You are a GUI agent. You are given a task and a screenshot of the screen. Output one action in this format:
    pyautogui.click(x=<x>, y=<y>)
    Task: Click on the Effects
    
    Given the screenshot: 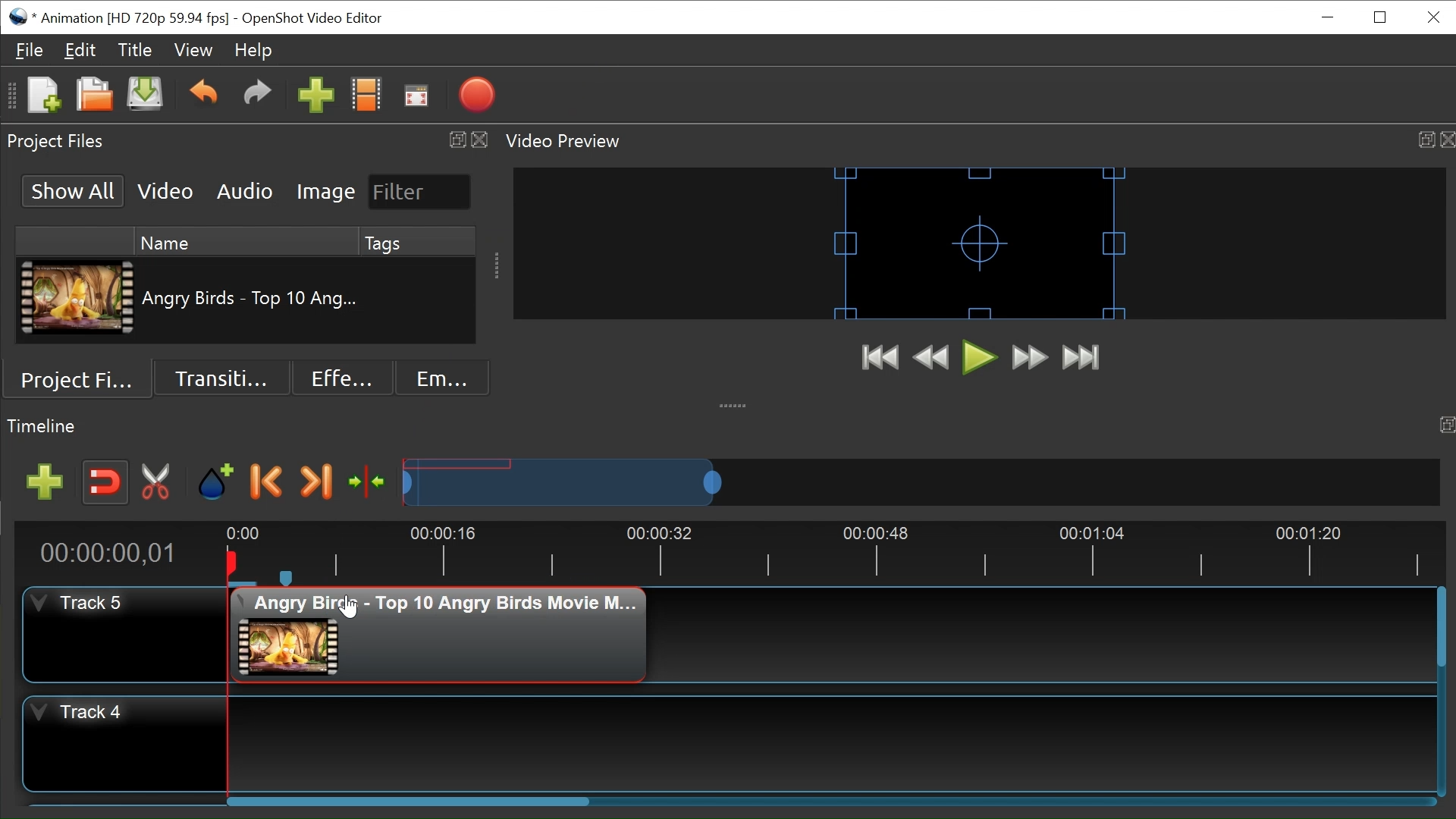 What is the action you would take?
    pyautogui.click(x=342, y=378)
    